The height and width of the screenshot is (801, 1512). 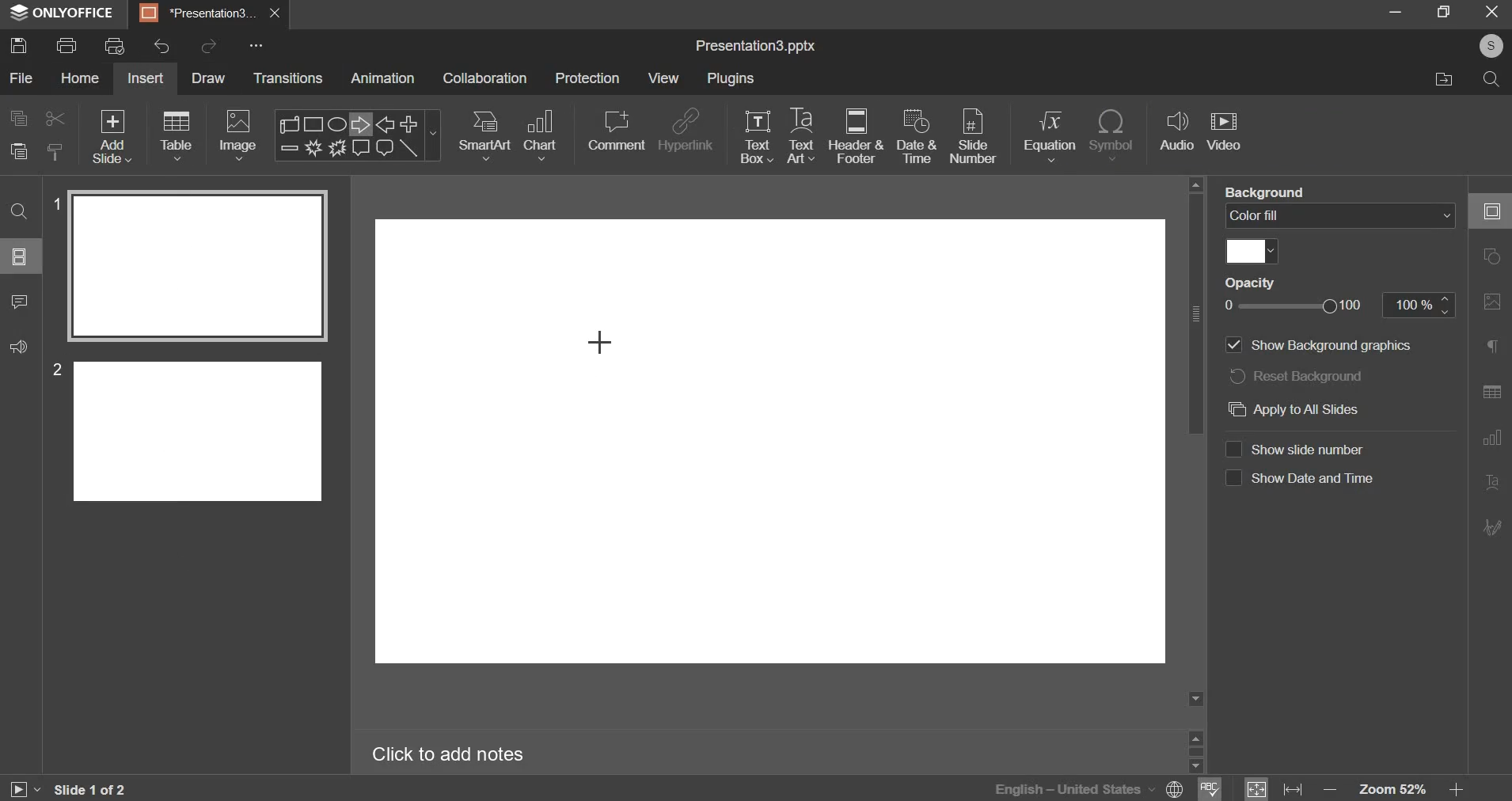 I want to click on app name, so click(x=63, y=16).